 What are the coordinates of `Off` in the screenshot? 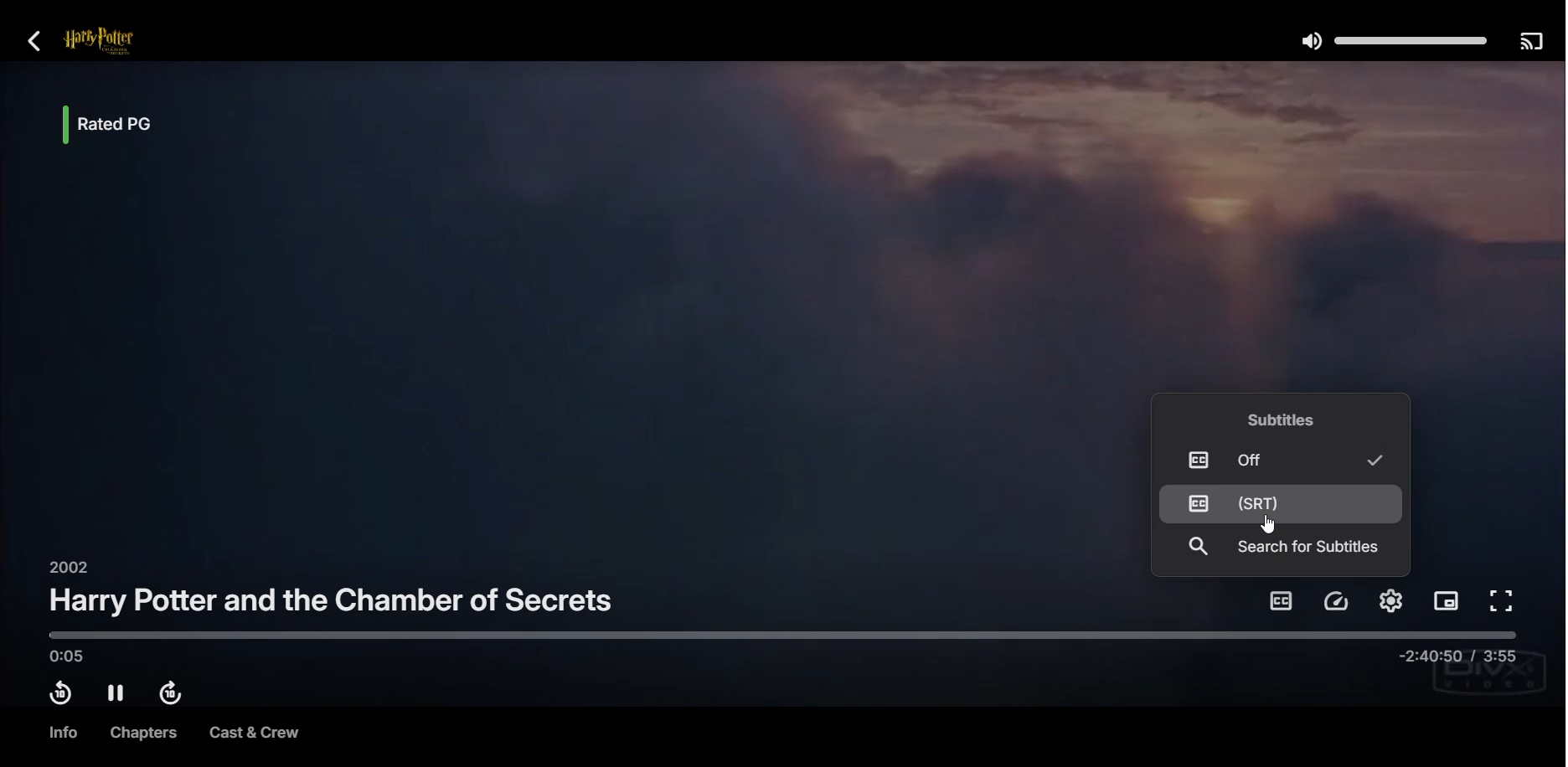 It's located at (1277, 459).